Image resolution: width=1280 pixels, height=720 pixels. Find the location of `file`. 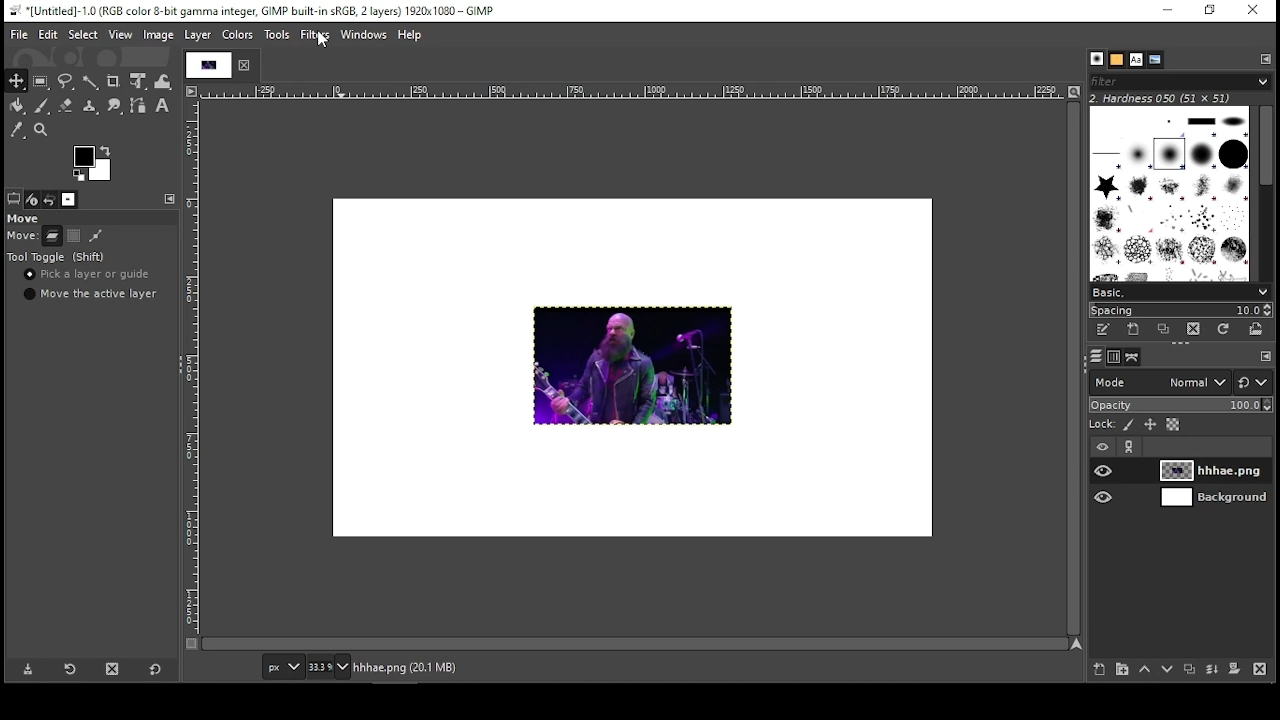

file is located at coordinates (19, 33).